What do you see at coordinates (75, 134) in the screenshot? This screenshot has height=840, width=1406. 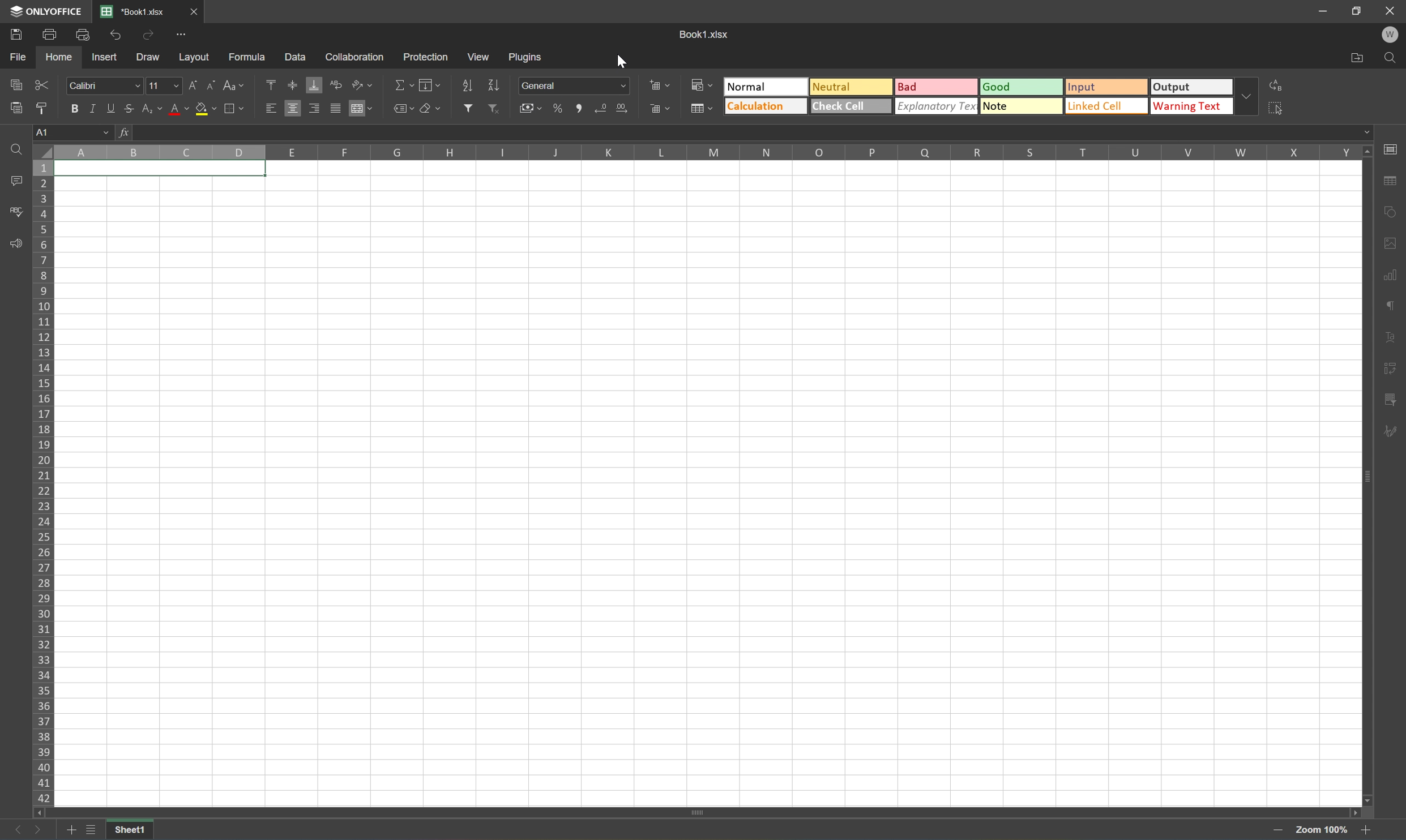 I see `1R×4C` at bounding box center [75, 134].